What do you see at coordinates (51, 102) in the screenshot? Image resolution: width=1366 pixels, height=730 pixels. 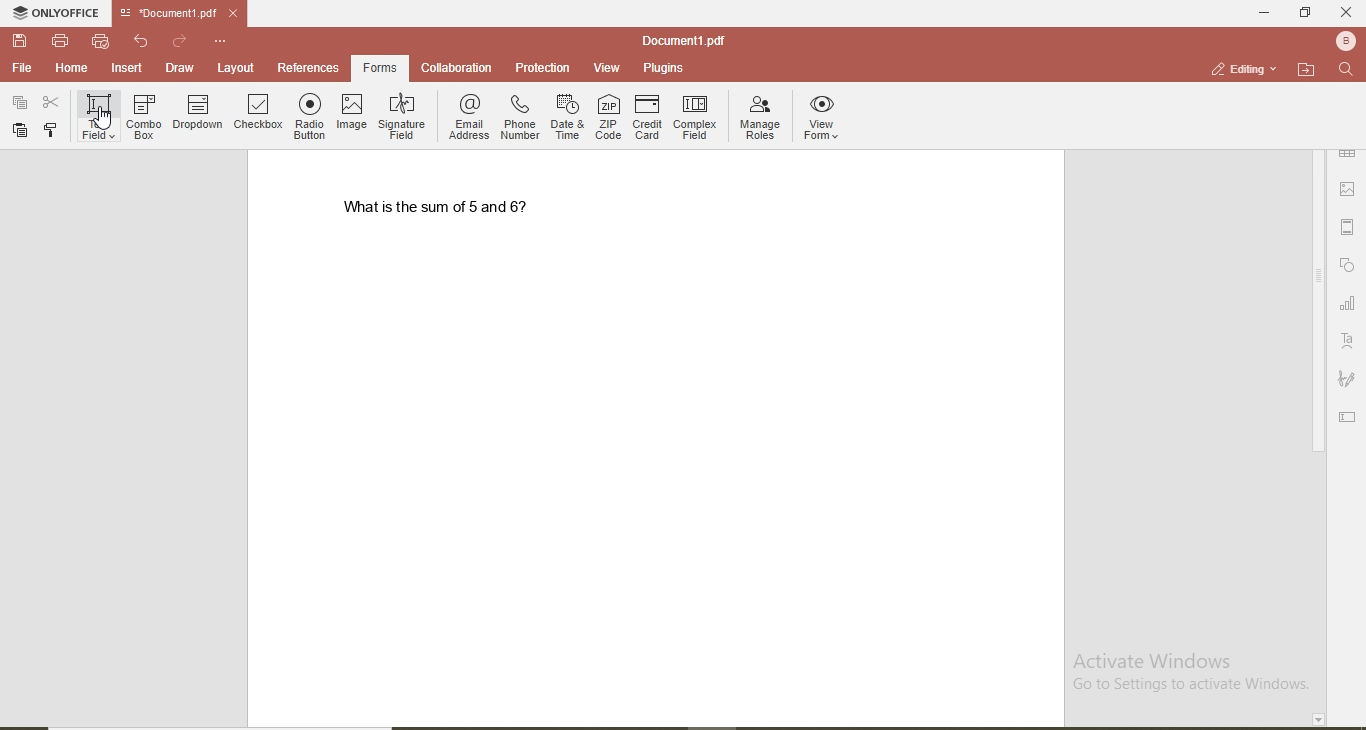 I see `cut` at bounding box center [51, 102].